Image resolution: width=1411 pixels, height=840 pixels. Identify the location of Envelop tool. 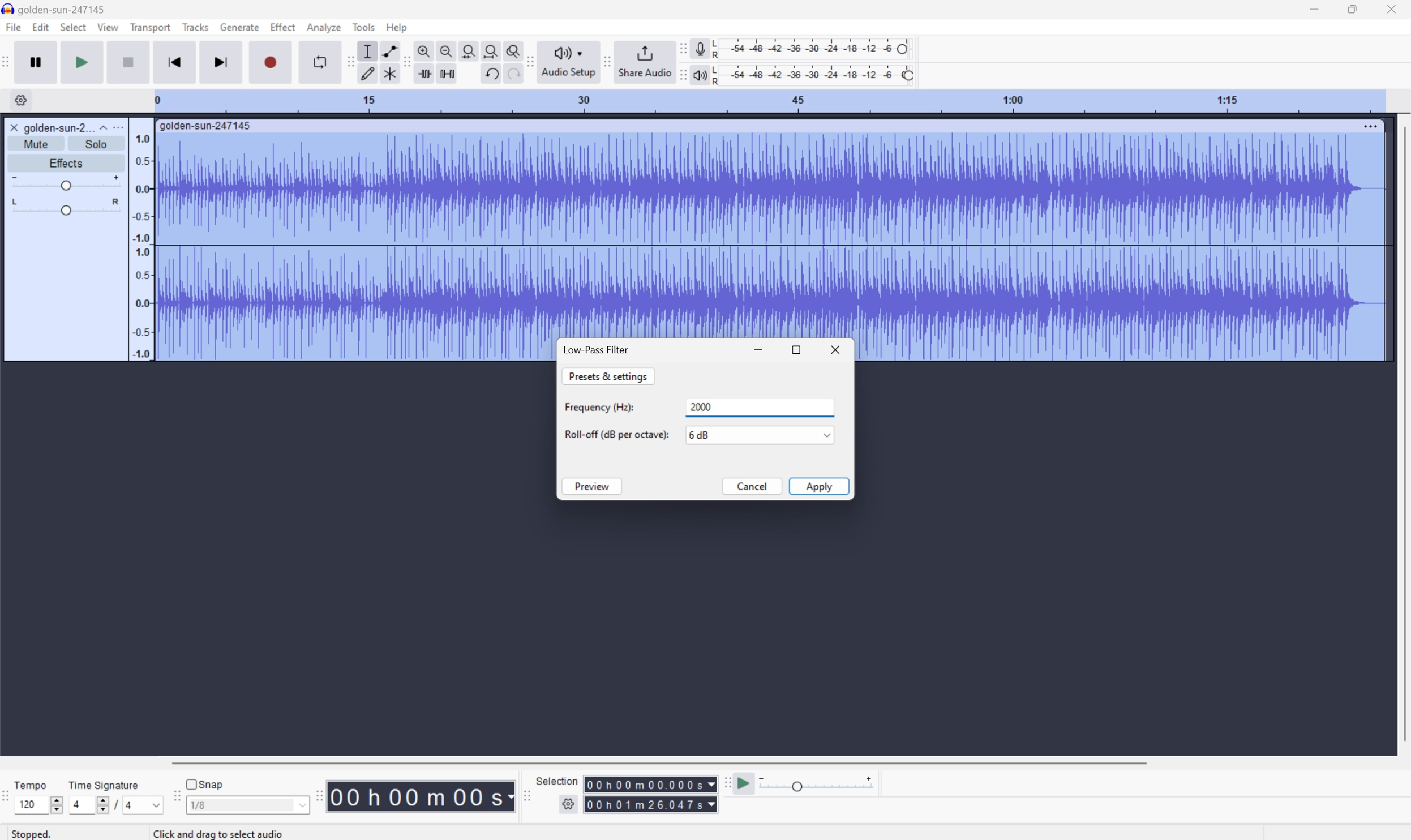
(387, 50).